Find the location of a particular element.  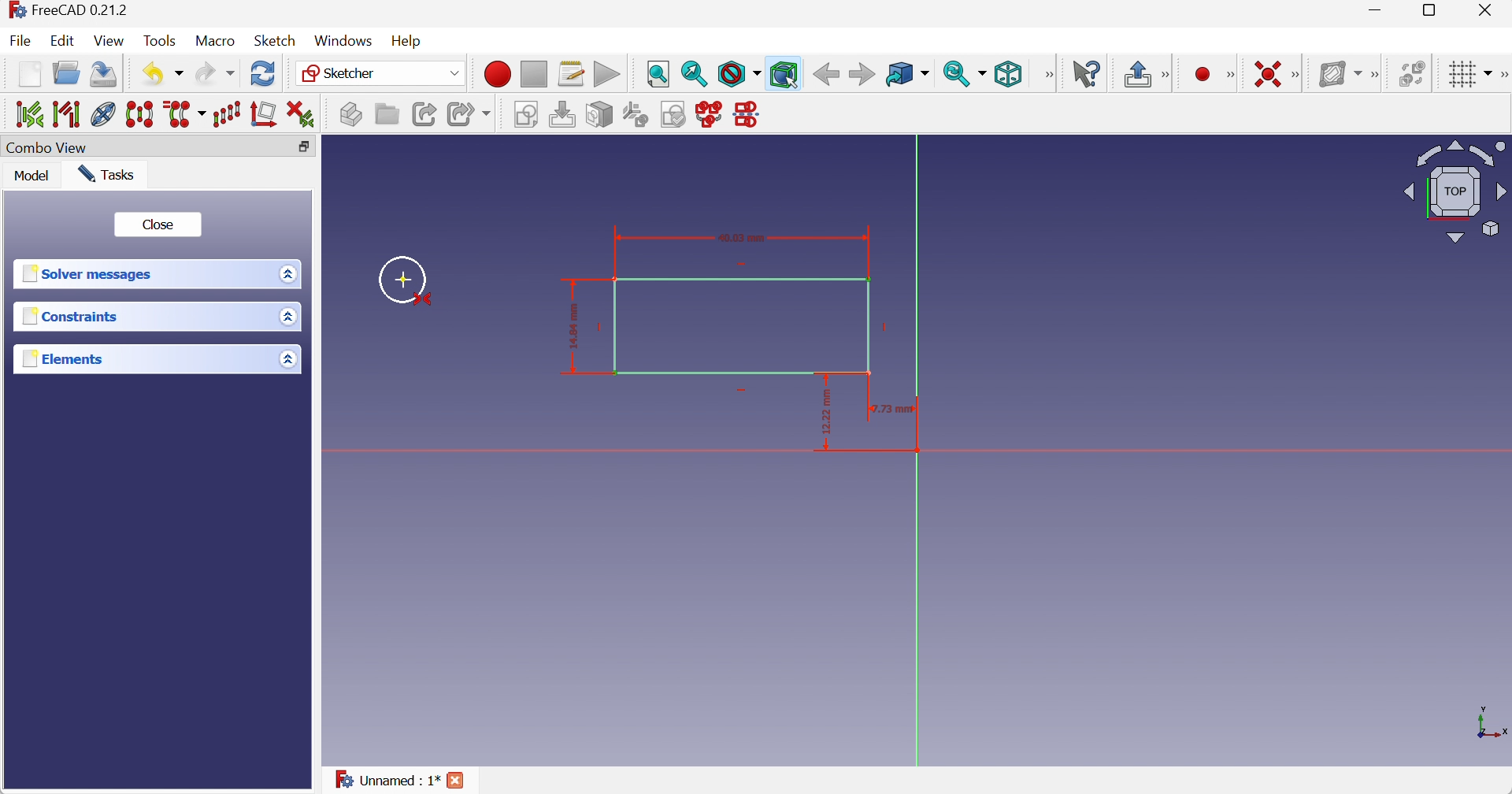

Draw style is located at coordinates (739, 74).